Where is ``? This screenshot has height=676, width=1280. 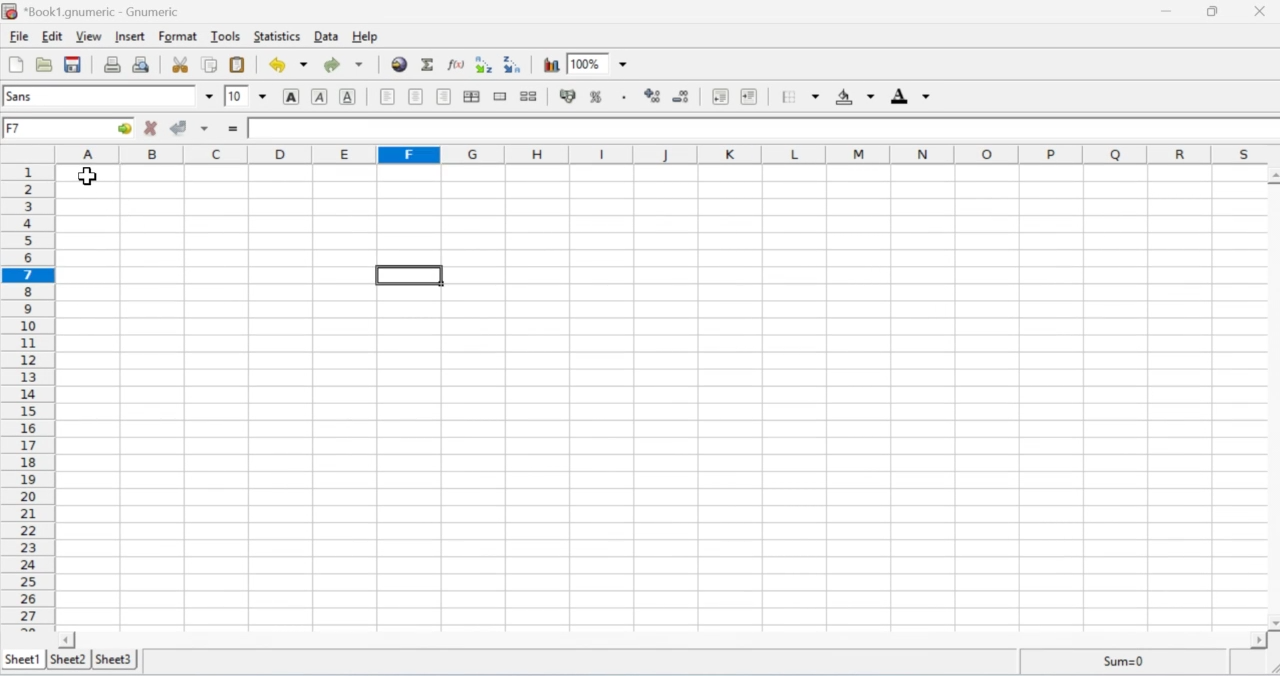  is located at coordinates (566, 98).